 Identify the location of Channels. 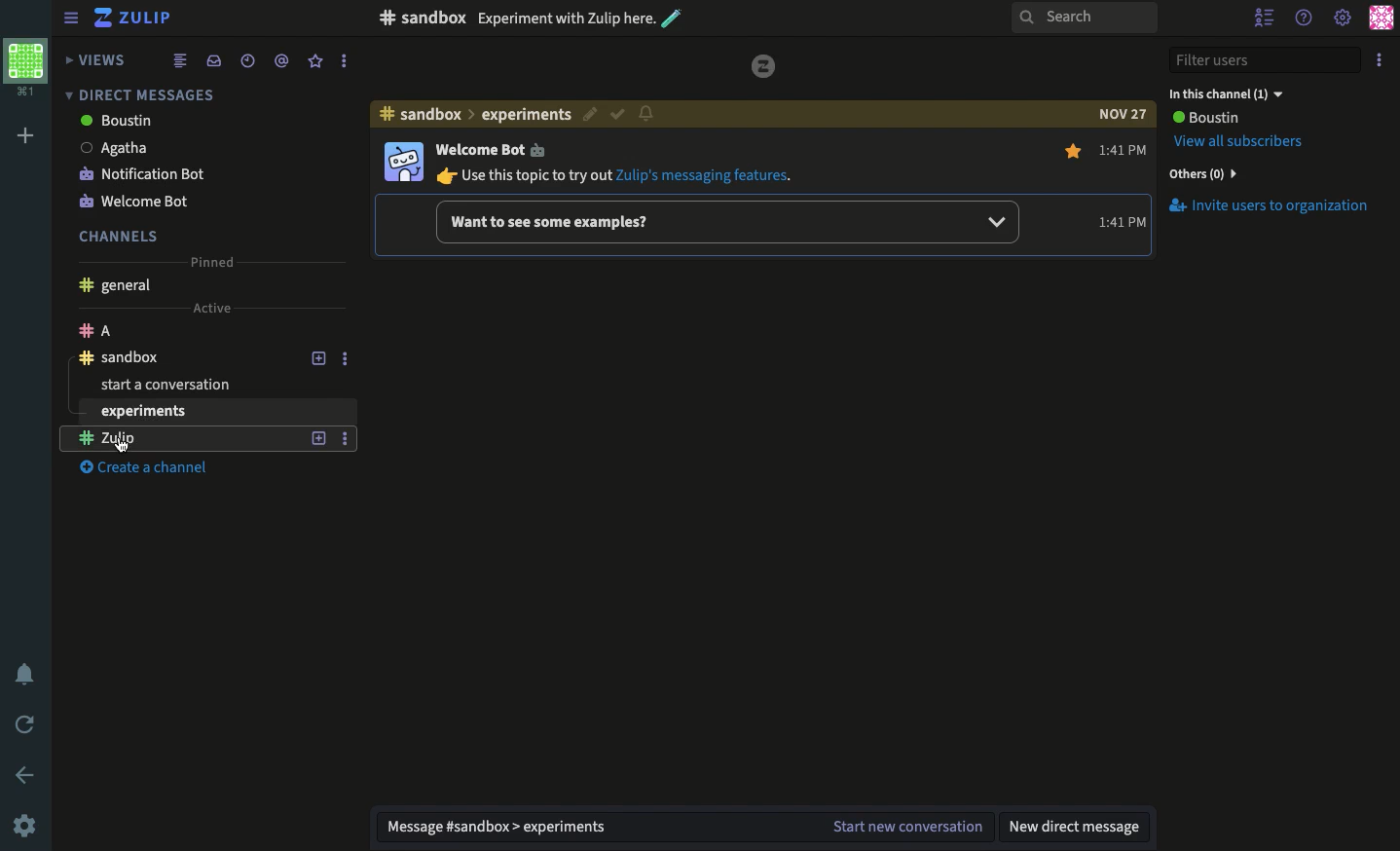
(119, 236).